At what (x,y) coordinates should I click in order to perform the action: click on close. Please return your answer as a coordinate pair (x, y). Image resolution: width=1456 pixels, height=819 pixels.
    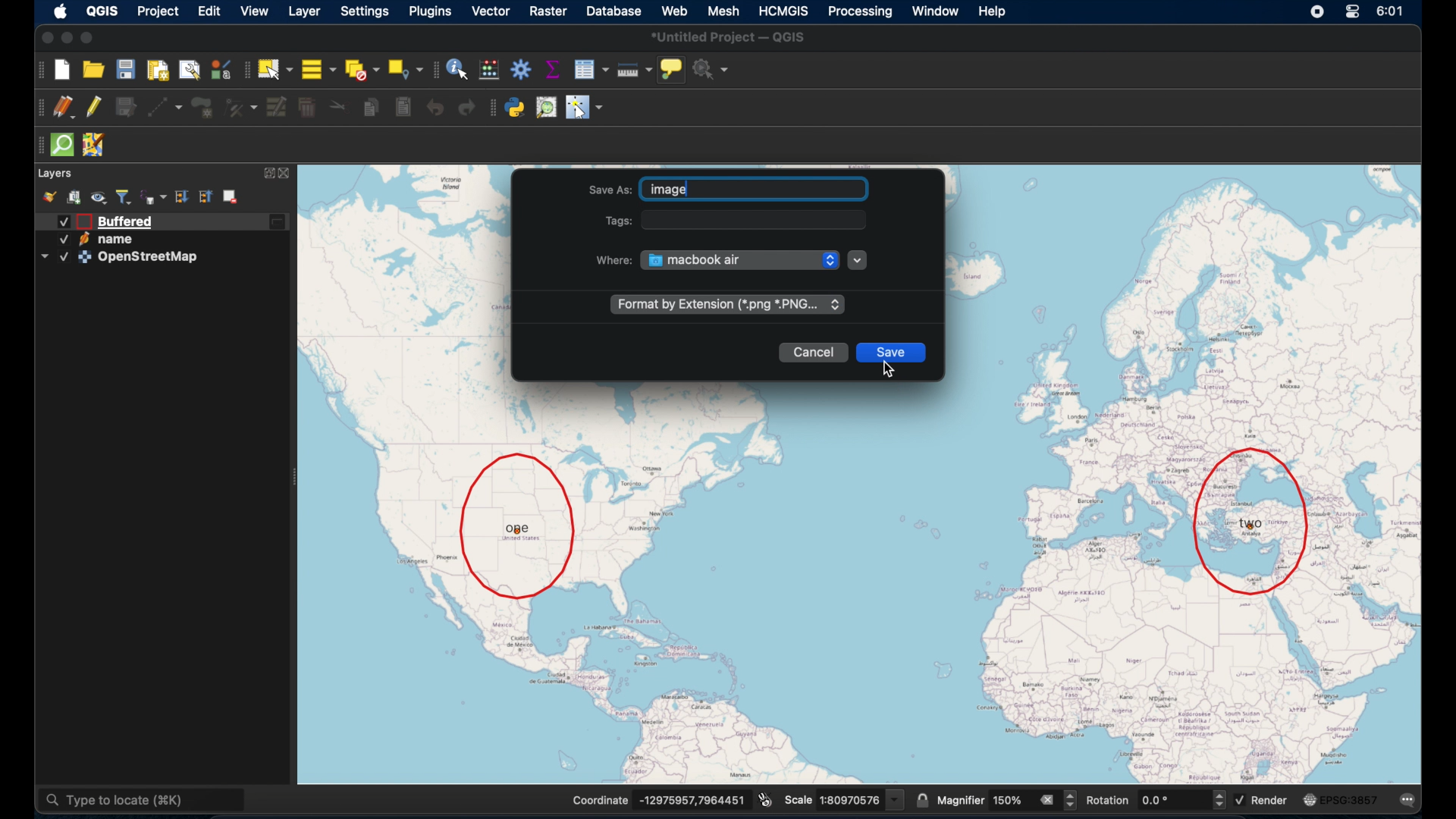
    Looking at the image, I should click on (288, 174).